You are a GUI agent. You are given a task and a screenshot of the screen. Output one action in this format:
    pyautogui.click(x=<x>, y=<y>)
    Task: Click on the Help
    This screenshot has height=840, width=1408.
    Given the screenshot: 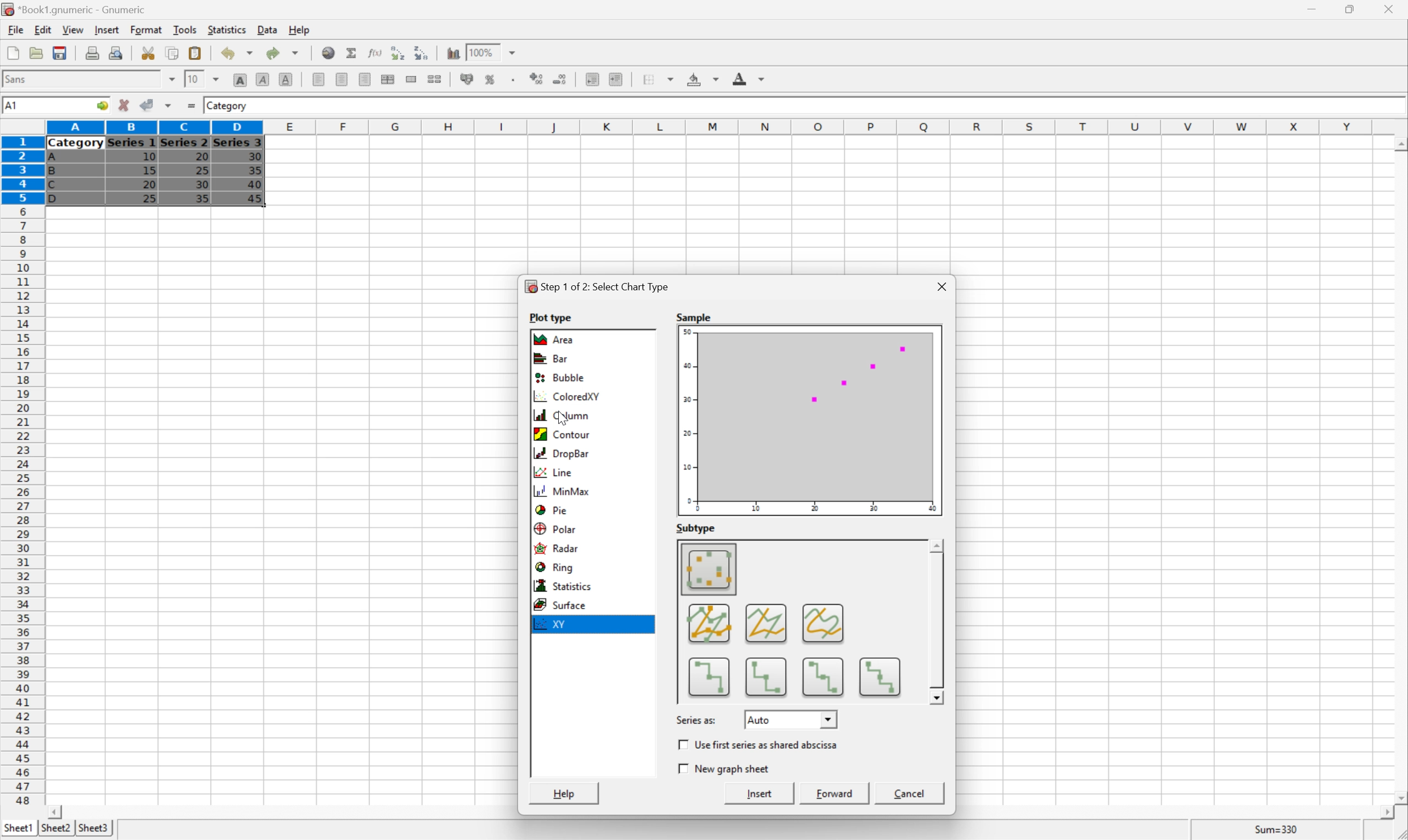 What is the action you would take?
    pyautogui.click(x=567, y=793)
    